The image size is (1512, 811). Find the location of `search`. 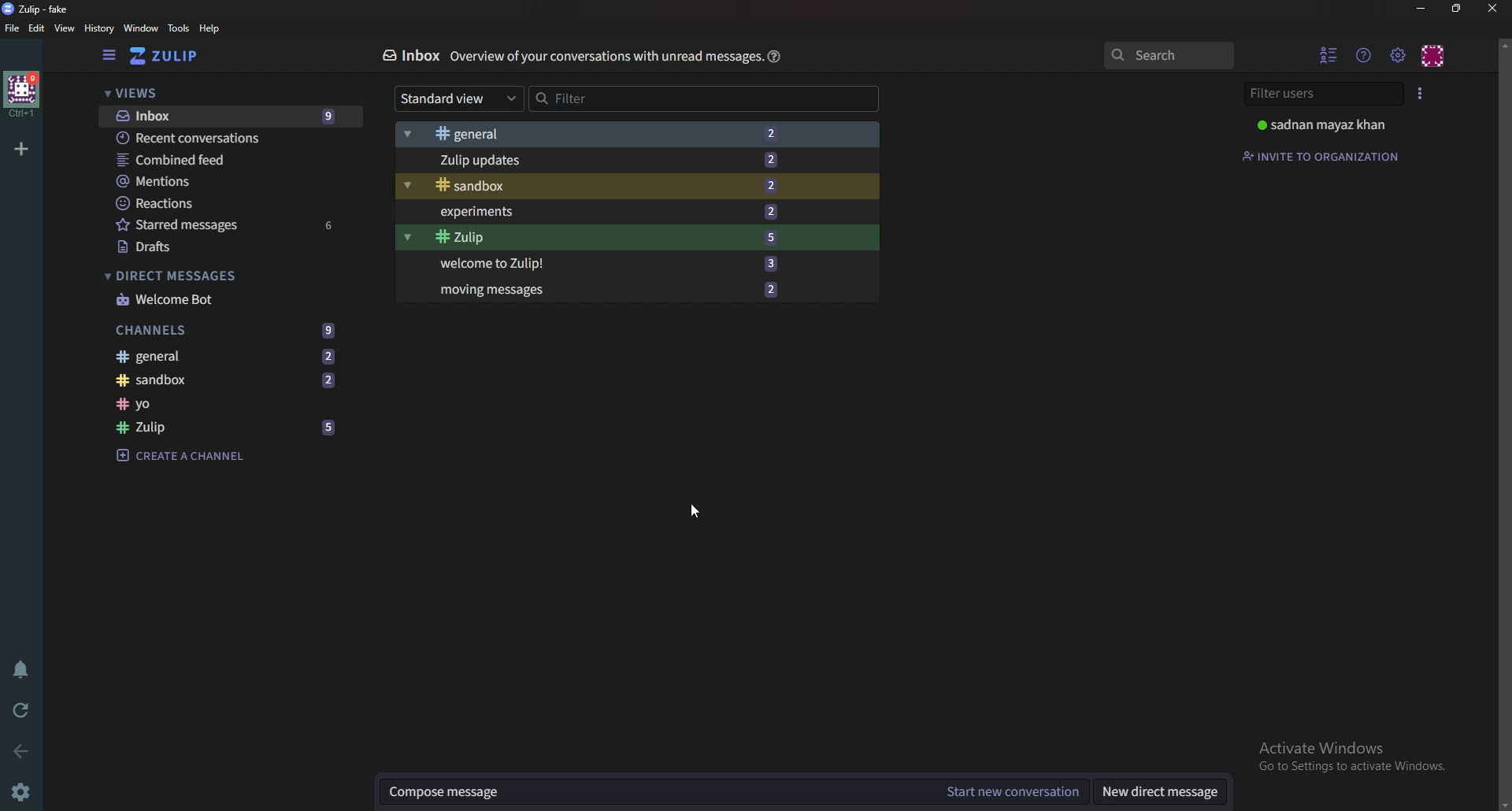

search is located at coordinates (1166, 56).